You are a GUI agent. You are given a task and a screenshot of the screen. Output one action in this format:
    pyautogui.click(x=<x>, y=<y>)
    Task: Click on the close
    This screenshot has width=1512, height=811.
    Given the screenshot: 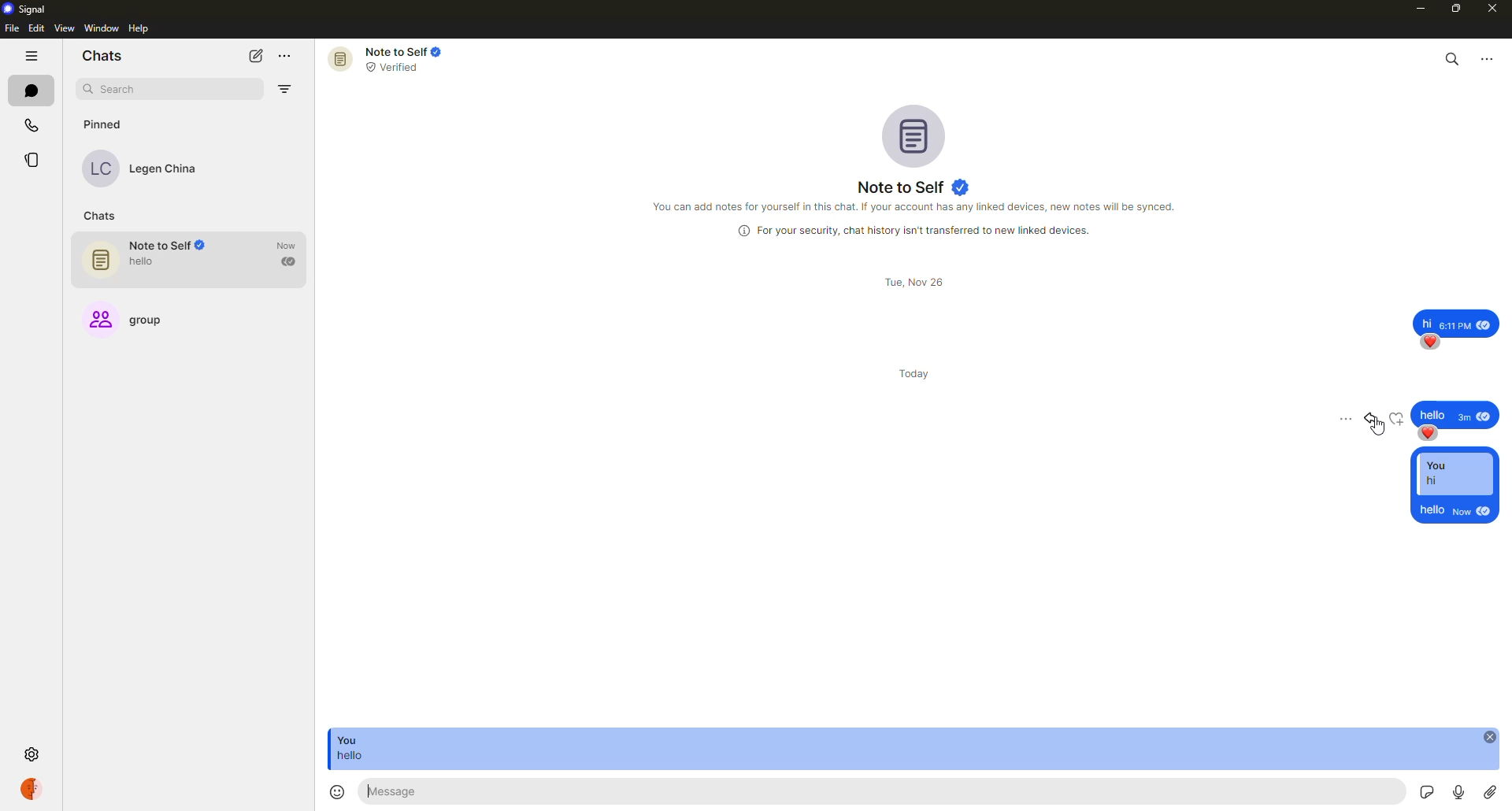 What is the action you would take?
    pyautogui.click(x=1494, y=8)
    